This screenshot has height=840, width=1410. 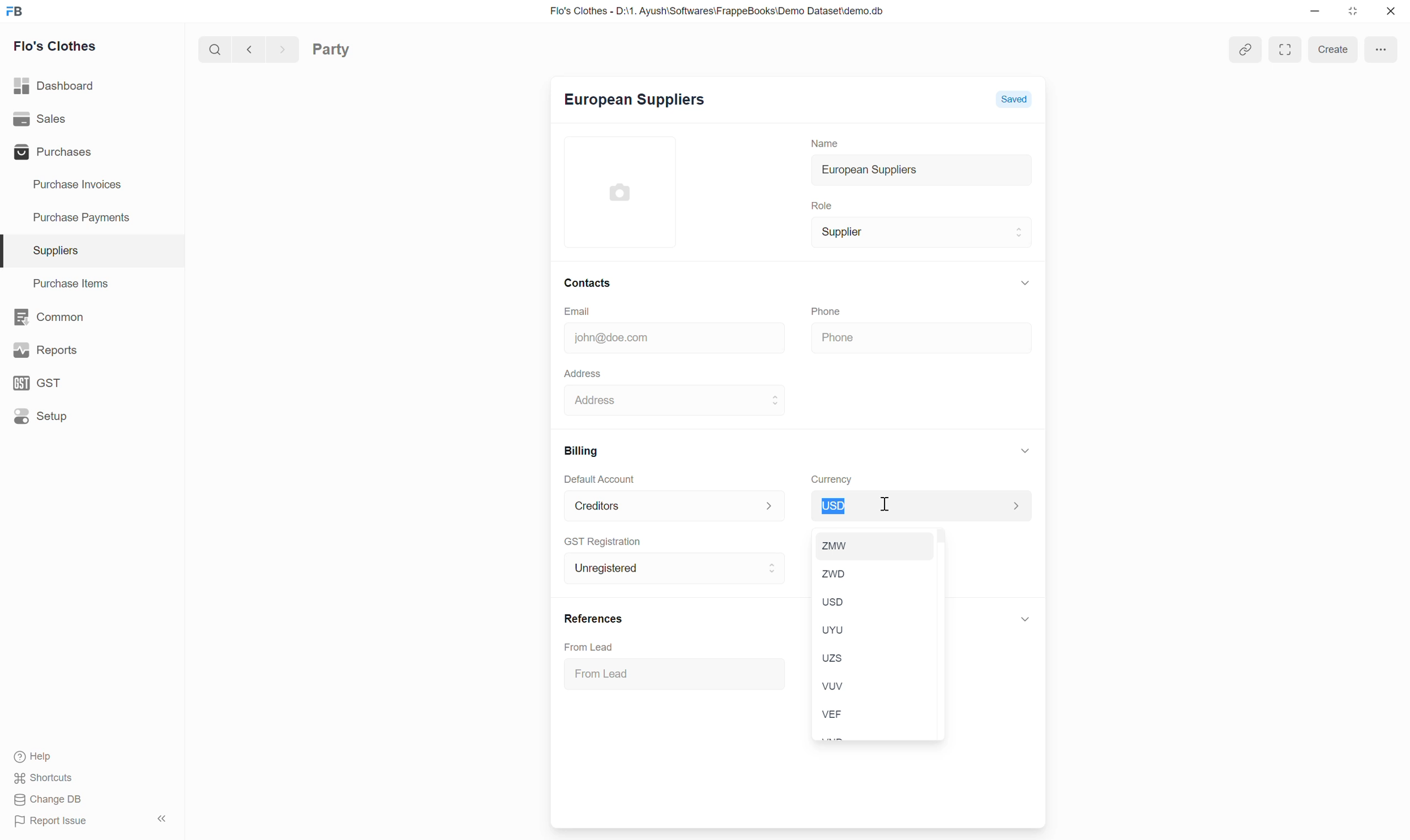 What do you see at coordinates (833, 628) in the screenshot?
I see `uyu` at bounding box center [833, 628].